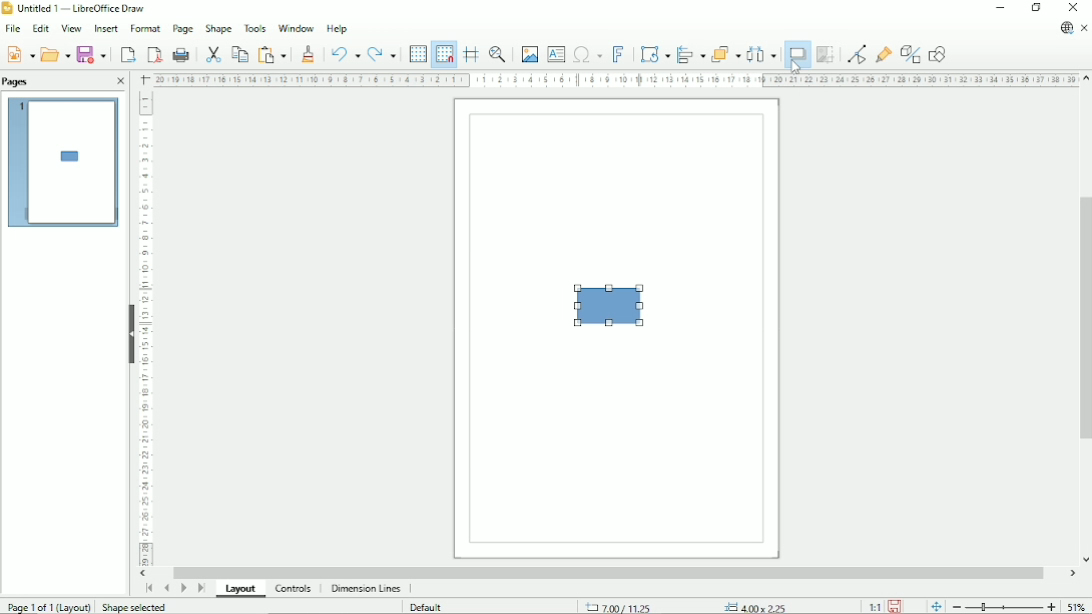 The image size is (1092, 614). I want to click on Window, so click(297, 28).